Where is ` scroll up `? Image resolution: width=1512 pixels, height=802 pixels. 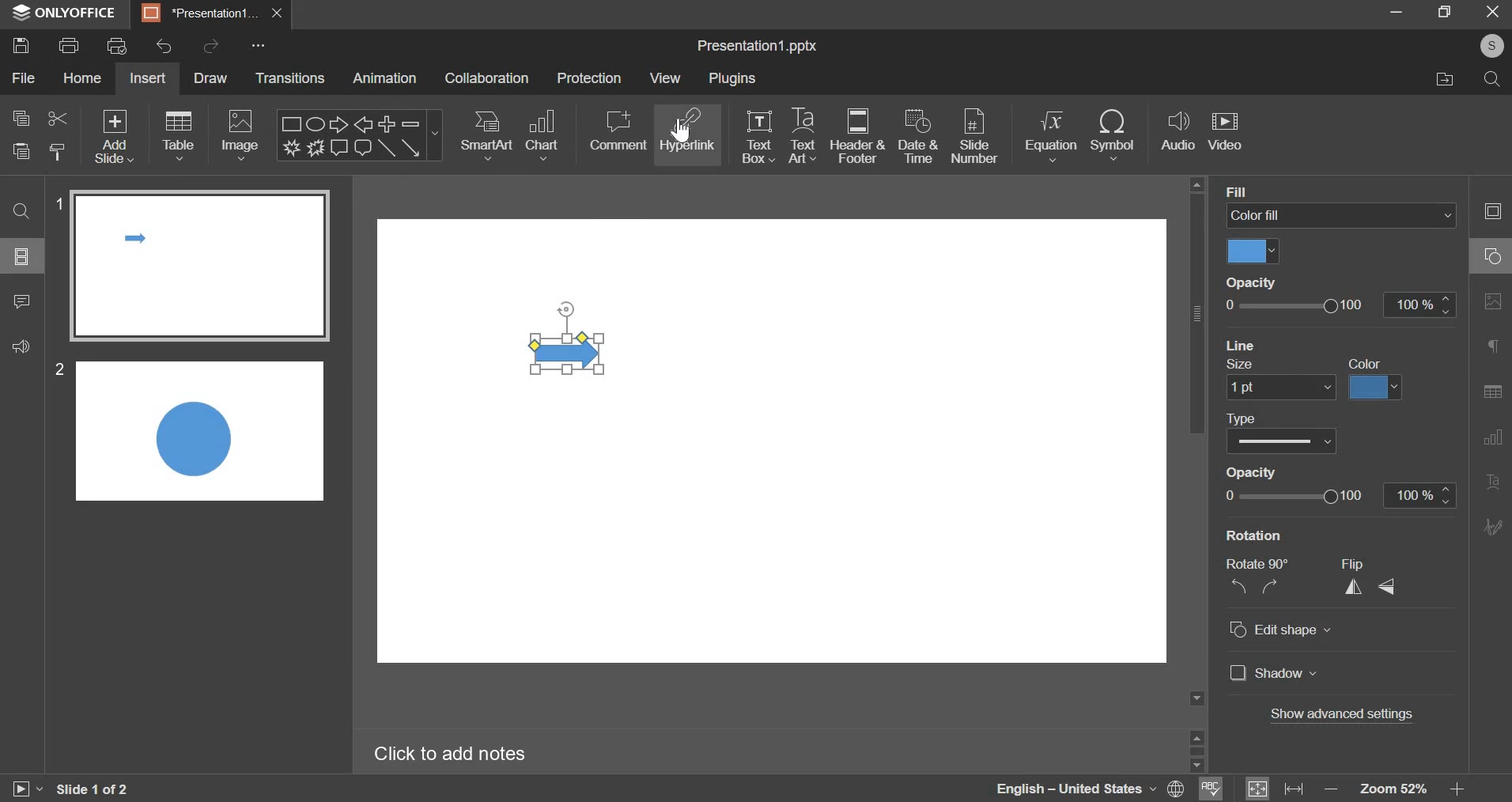  scroll up  is located at coordinates (1197, 736).